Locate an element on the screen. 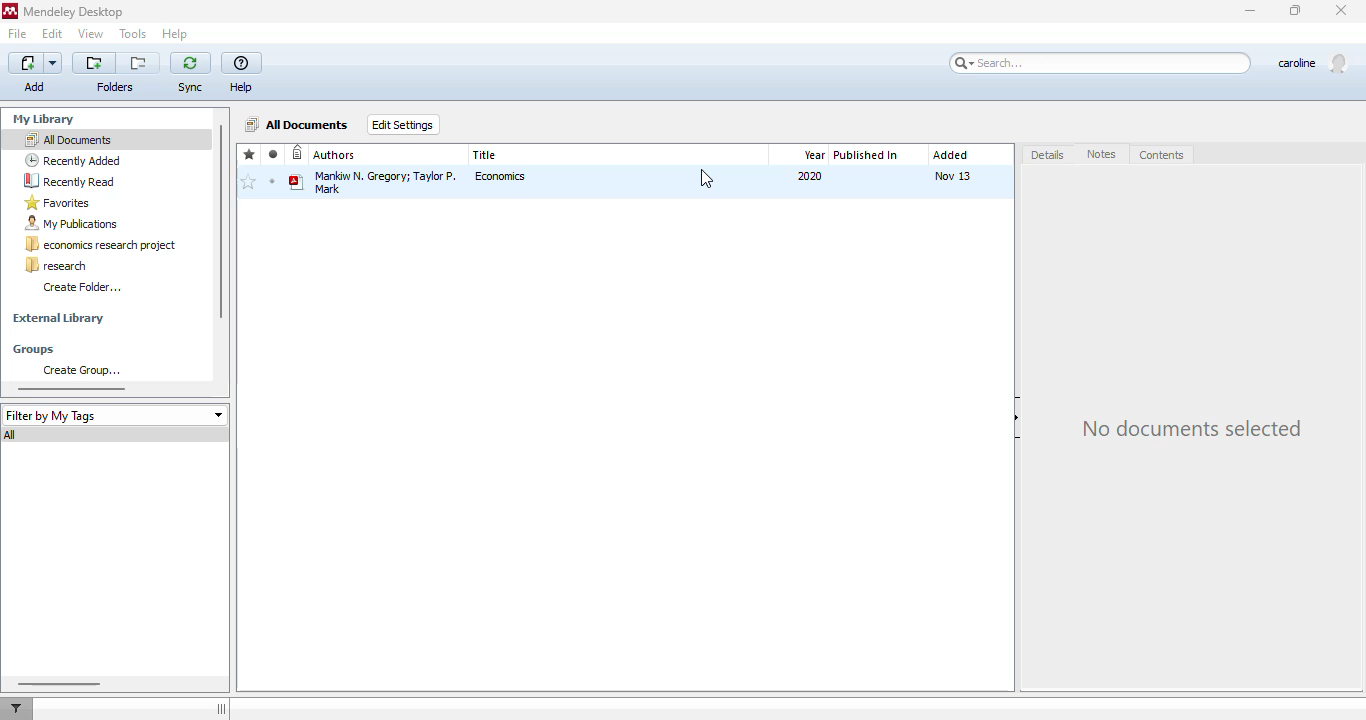  authors is located at coordinates (335, 155).